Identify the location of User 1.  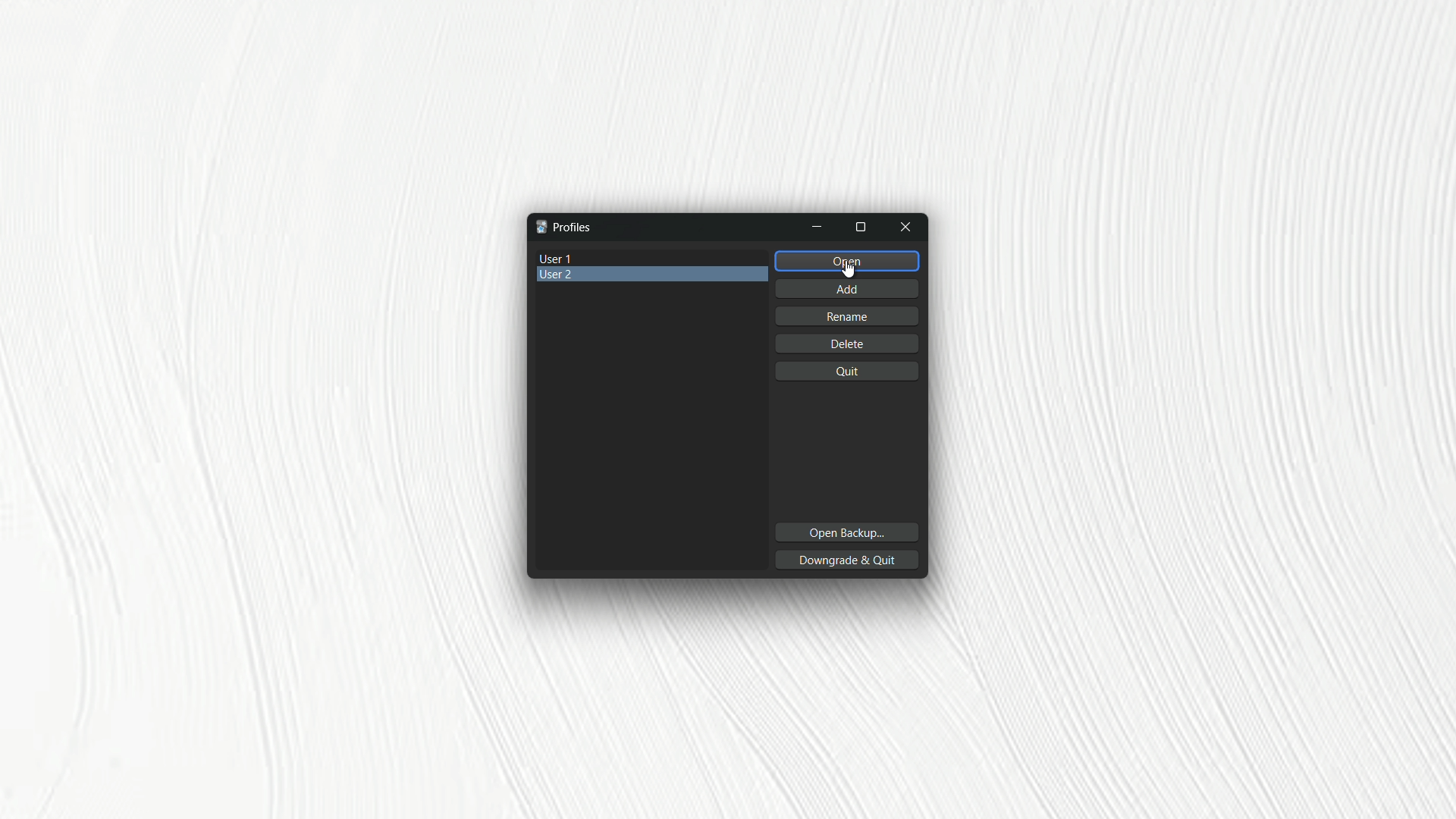
(654, 257).